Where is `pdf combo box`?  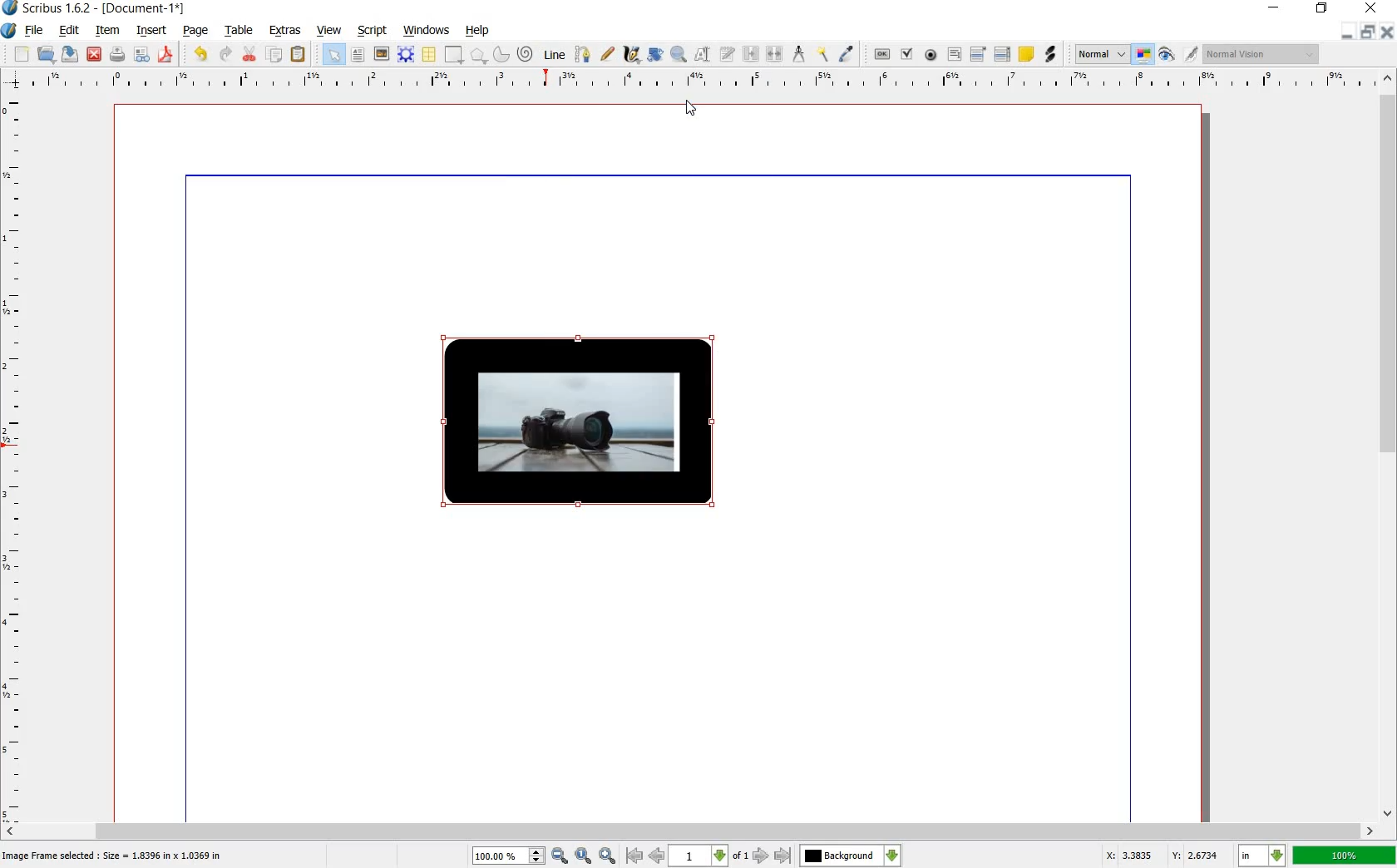 pdf combo box is located at coordinates (978, 55).